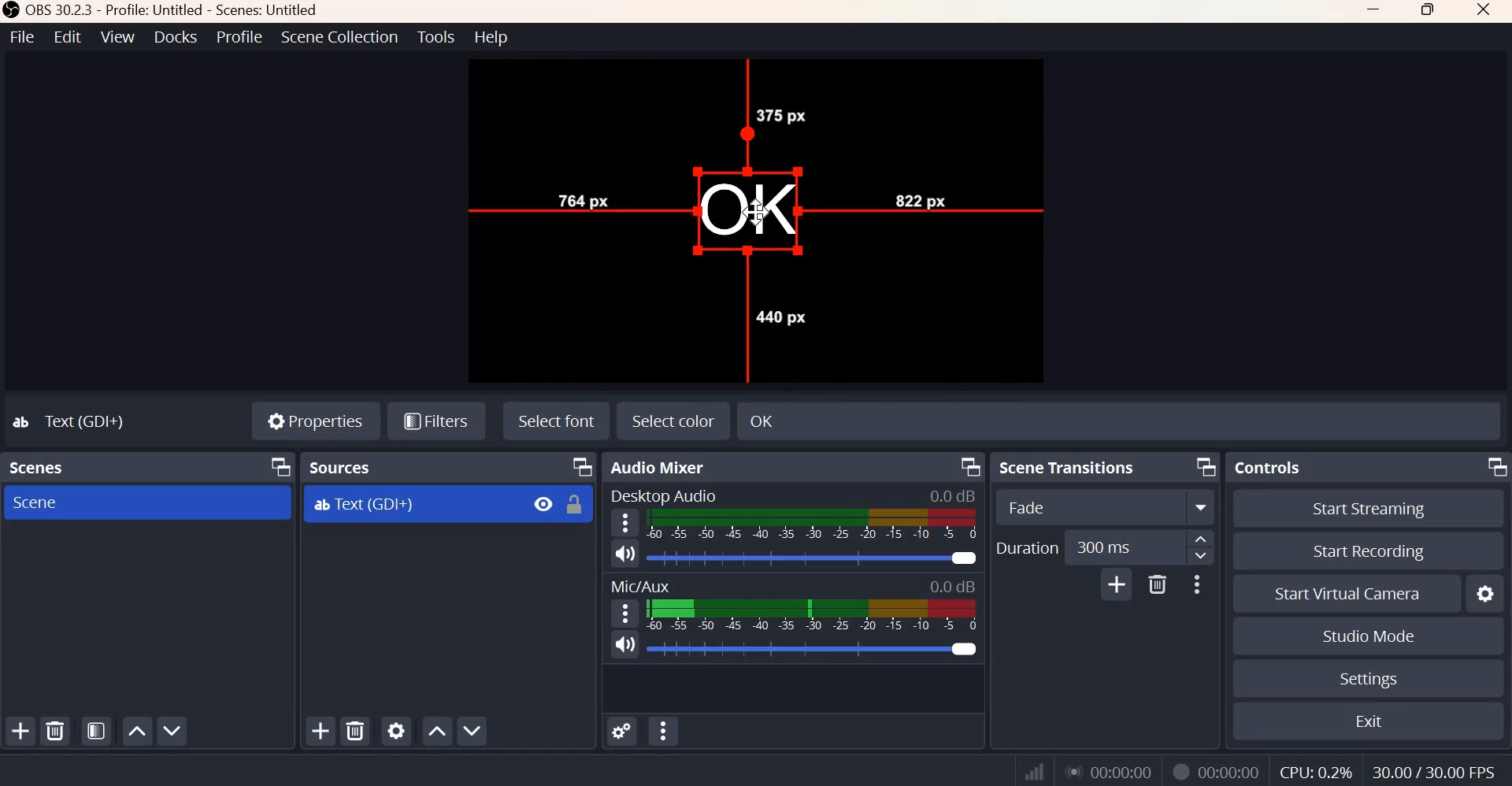  What do you see at coordinates (1370, 510) in the screenshot?
I see `start streaming` at bounding box center [1370, 510].